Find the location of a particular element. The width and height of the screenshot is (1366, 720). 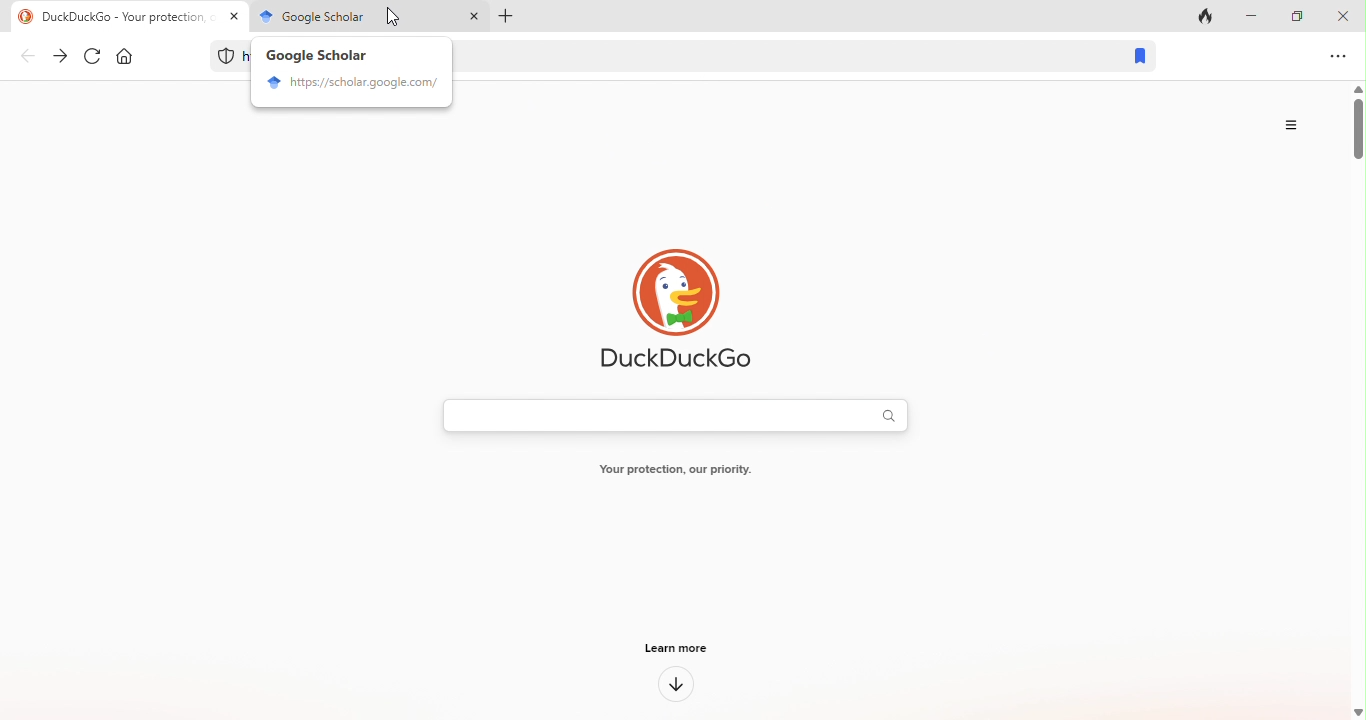

search is located at coordinates (895, 416).